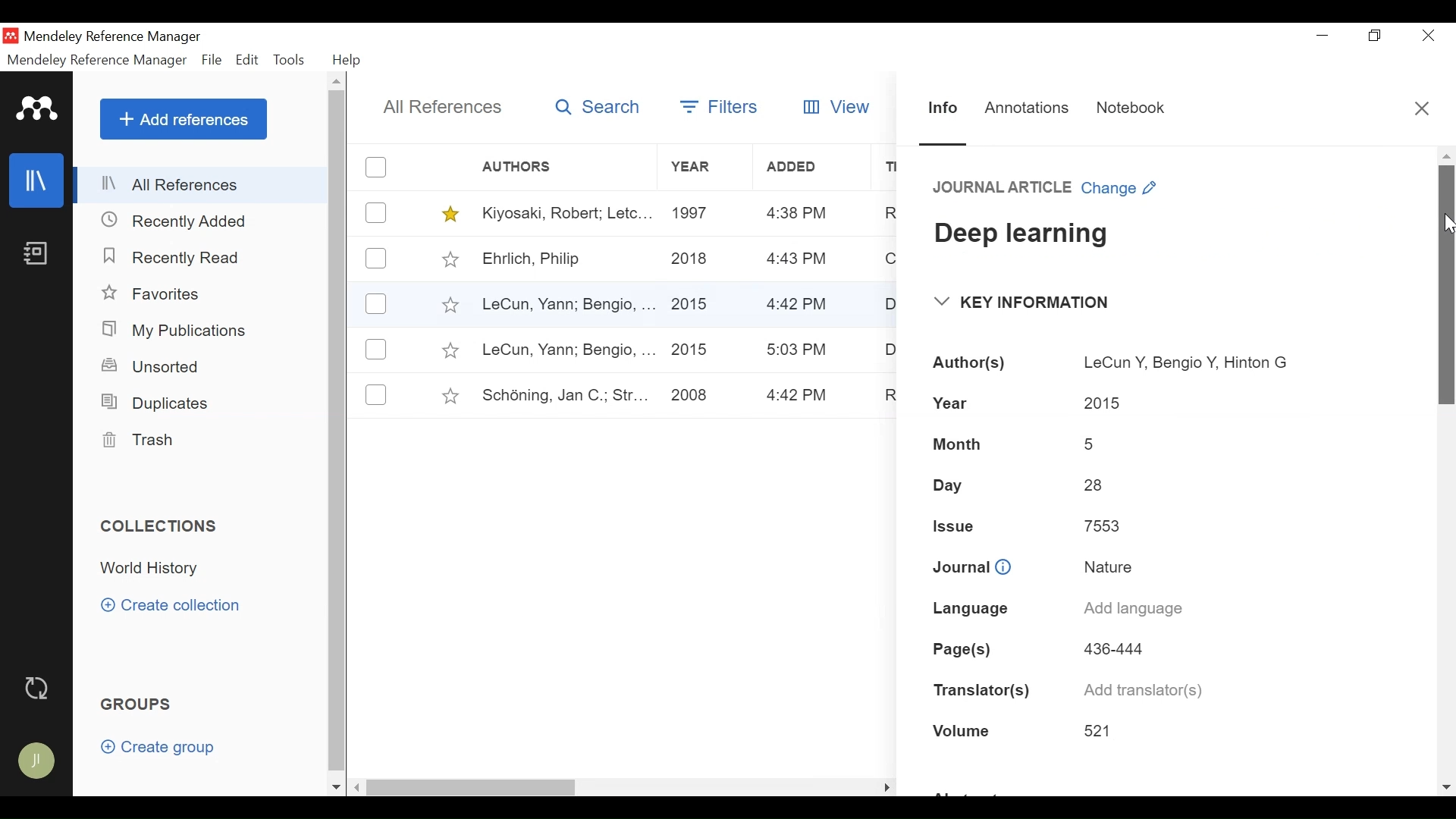  Describe the element at coordinates (566, 260) in the screenshot. I see `Ehrlich, Philip` at that location.